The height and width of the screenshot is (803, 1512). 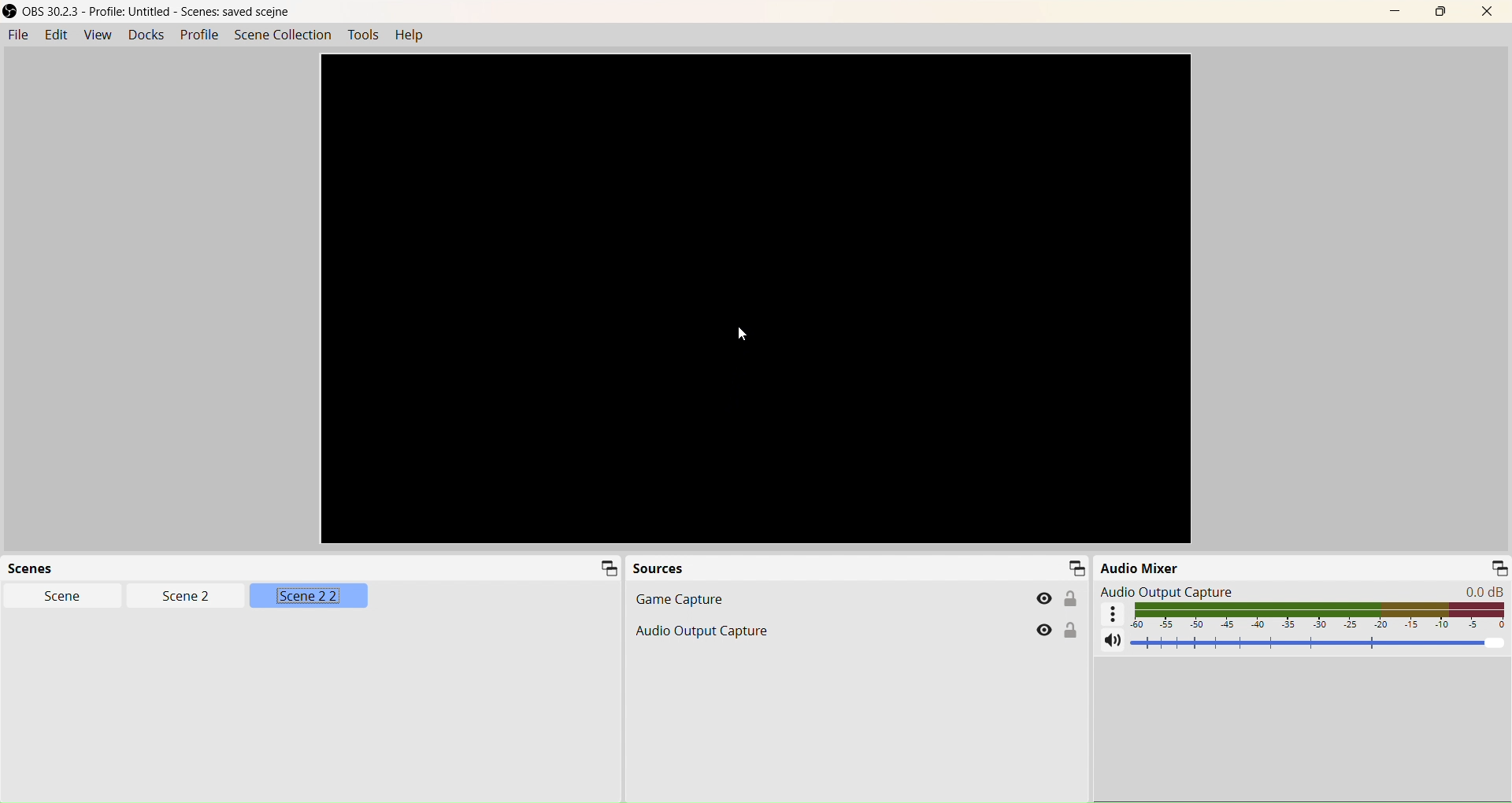 What do you see at coordinates (1440, 12) in the screenshot?
I see `Maximize` at bounding box center [1440, 12].